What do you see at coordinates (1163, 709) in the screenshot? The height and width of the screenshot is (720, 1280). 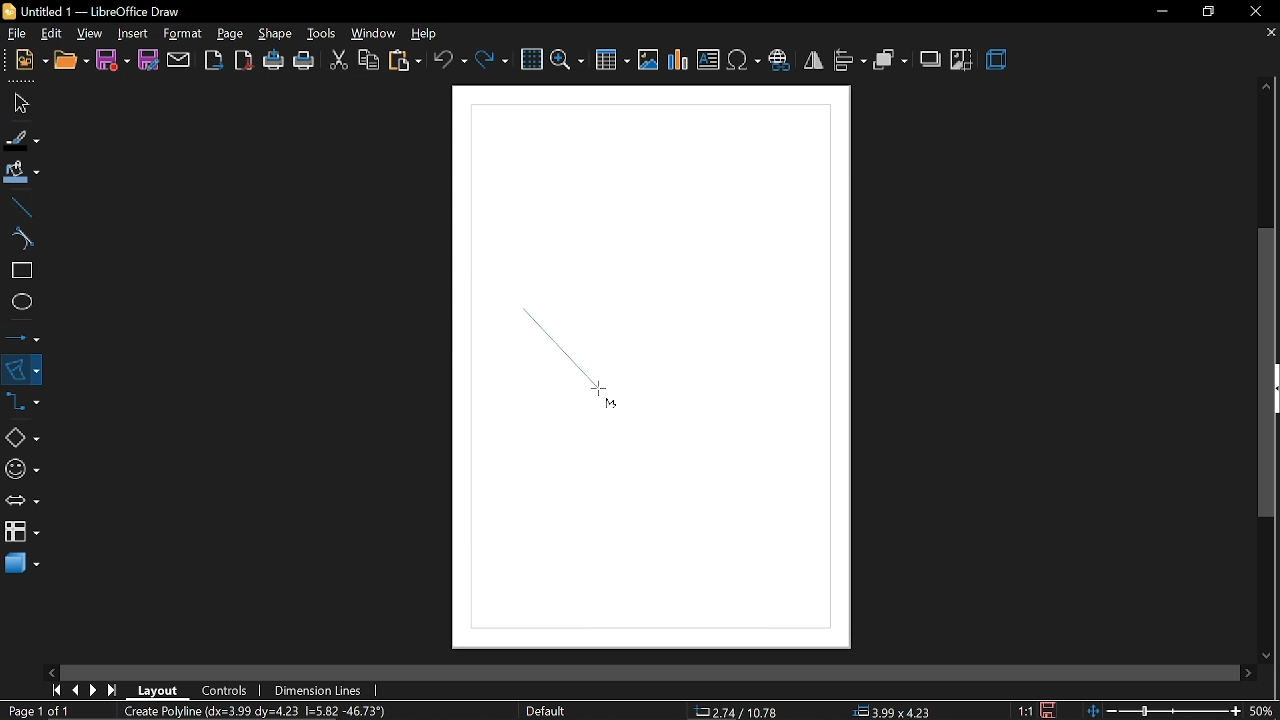 I see `change zoom` at bounding box center [1163, 709].